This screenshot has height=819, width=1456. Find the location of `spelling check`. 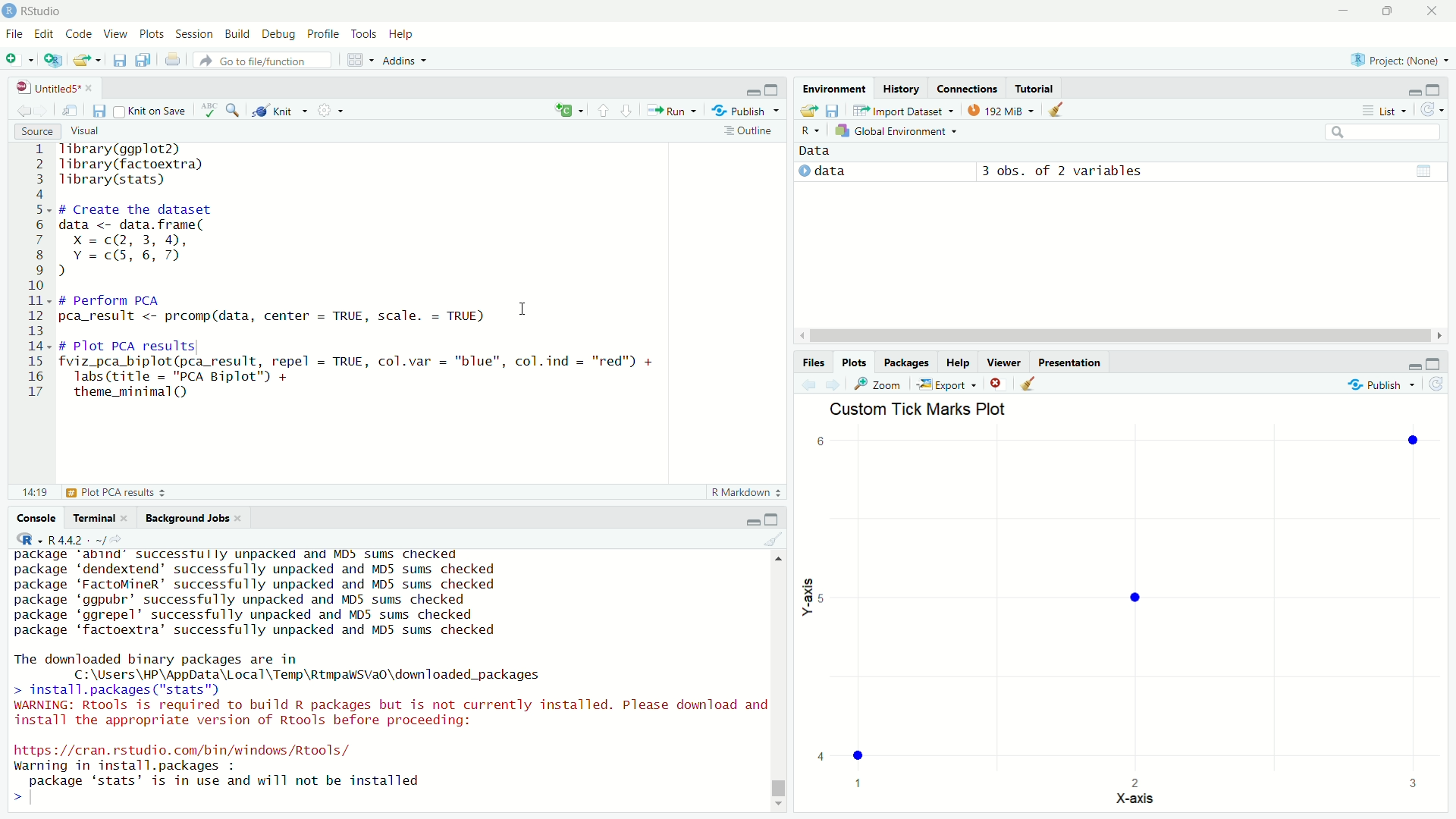

spelling check is located at coordinates (211, 110).